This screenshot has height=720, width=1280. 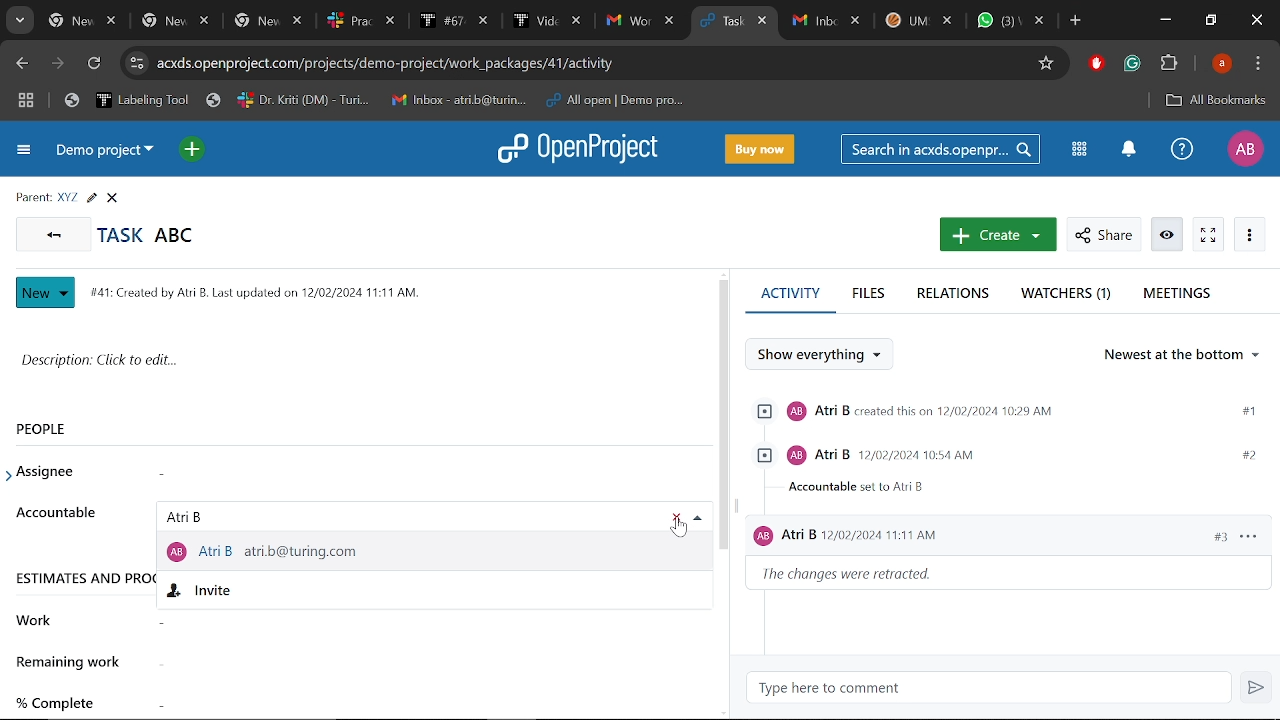 What do you see at coordinates (33, 198) in the screenshot?
I see `Parent:` at bounding box center [33, 198].